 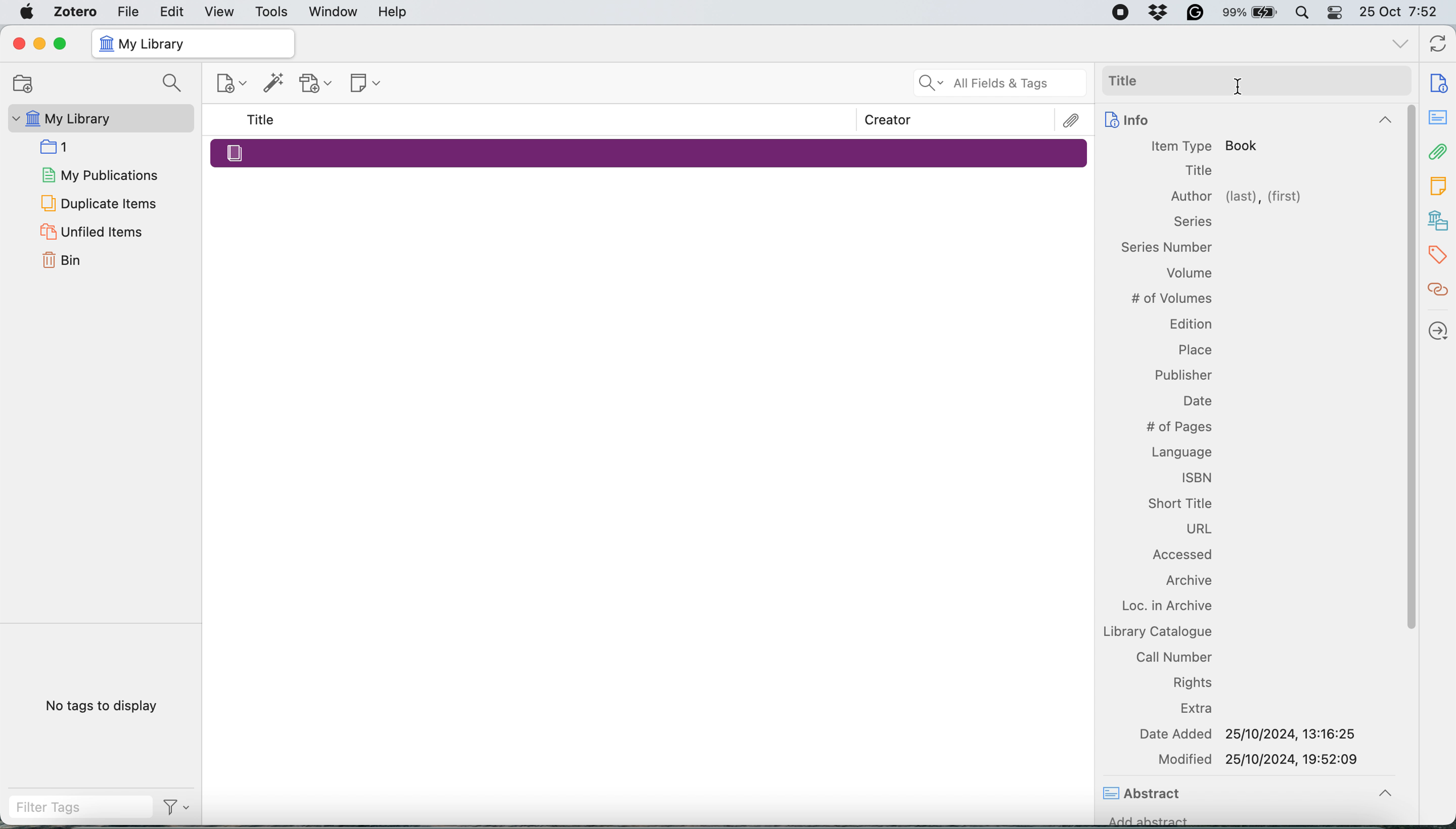 What do you see at coordinates (97, 202) in the screenshot?
I see `Duplicate Items` at bounding box center [97, 202].